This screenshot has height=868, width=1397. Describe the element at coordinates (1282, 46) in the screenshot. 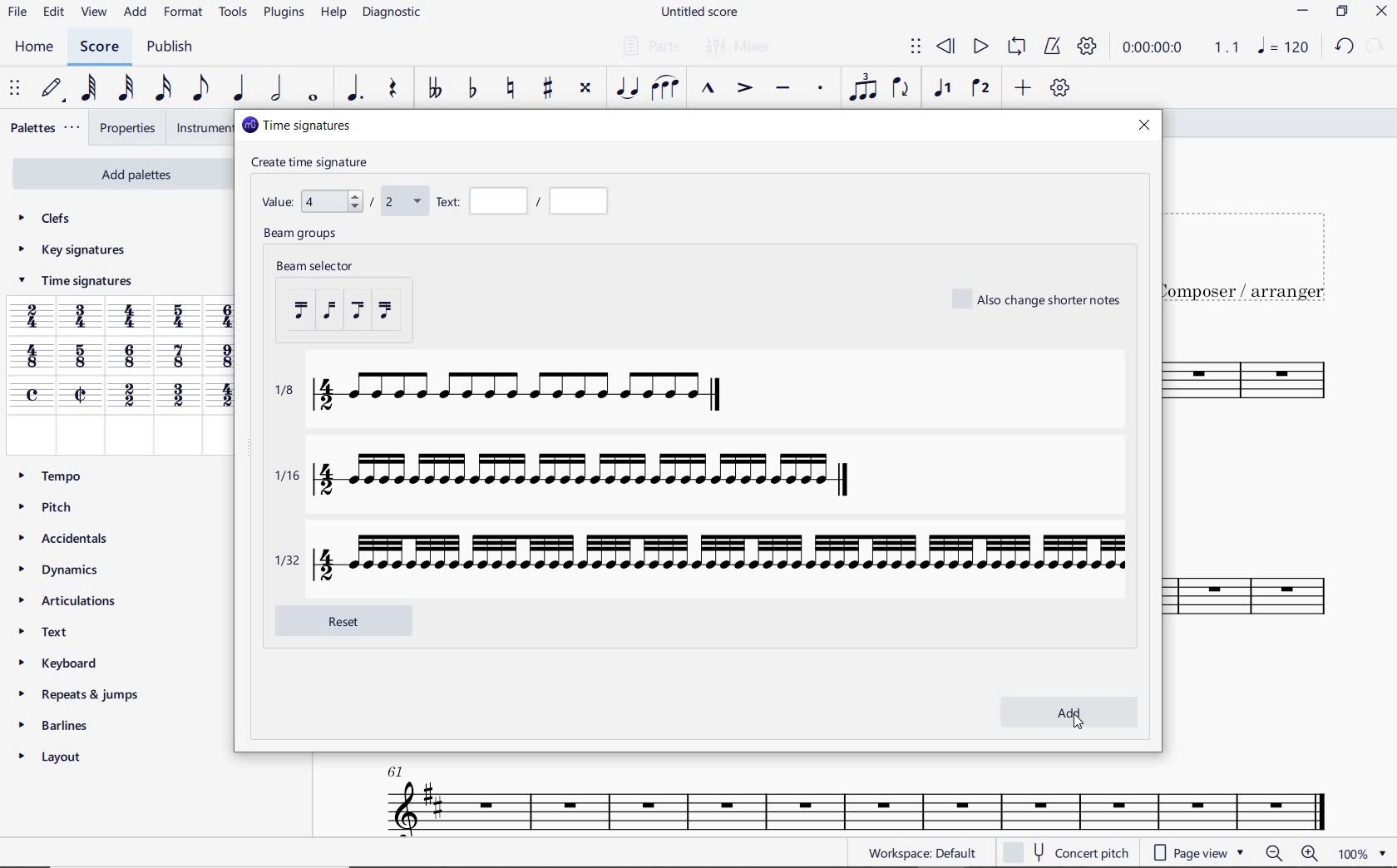

I see `NOTE` at that location.